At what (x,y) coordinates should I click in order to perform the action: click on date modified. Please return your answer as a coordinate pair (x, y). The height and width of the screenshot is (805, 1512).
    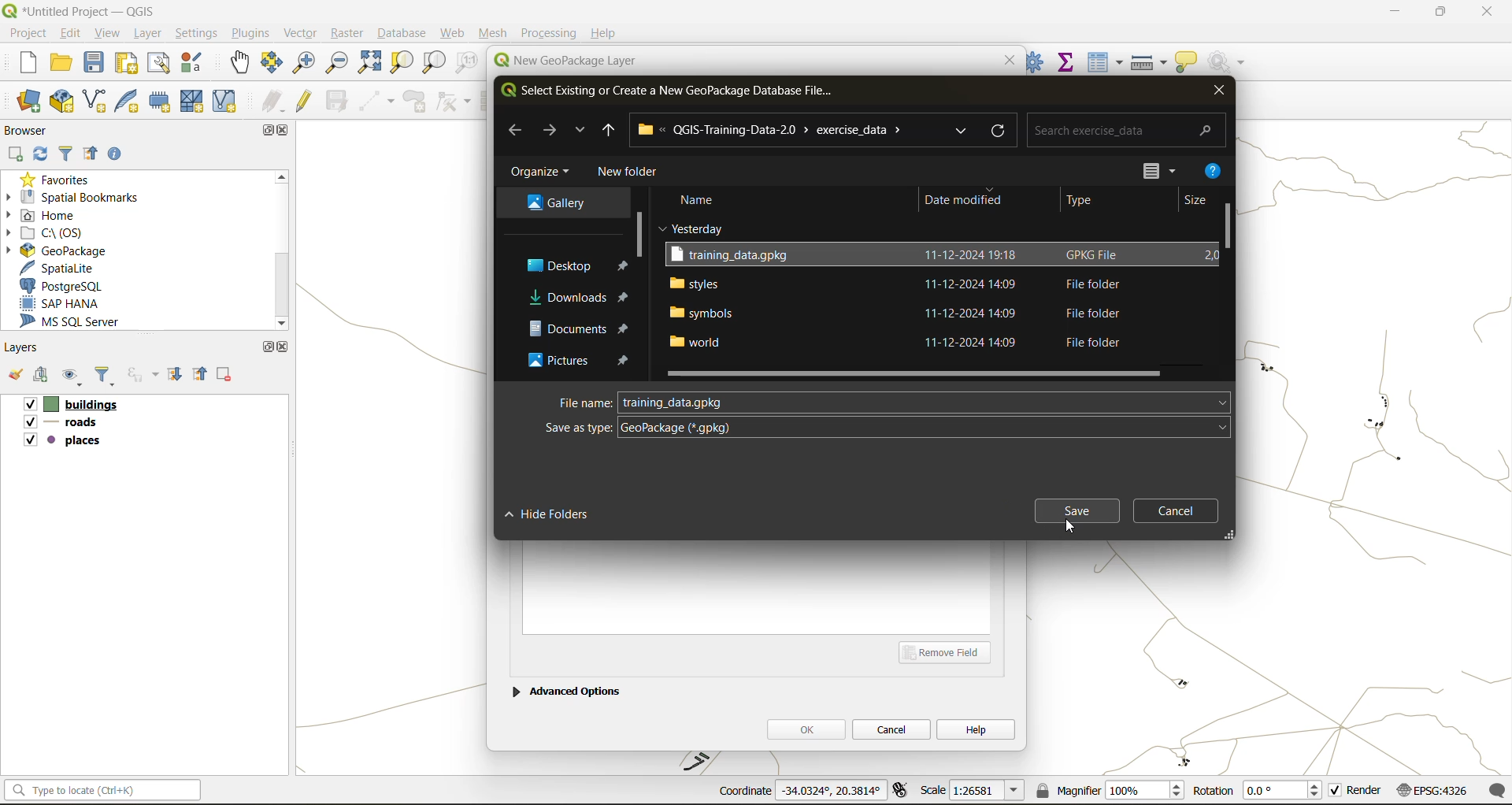
    Looking at the image, I should click on (965, 202).